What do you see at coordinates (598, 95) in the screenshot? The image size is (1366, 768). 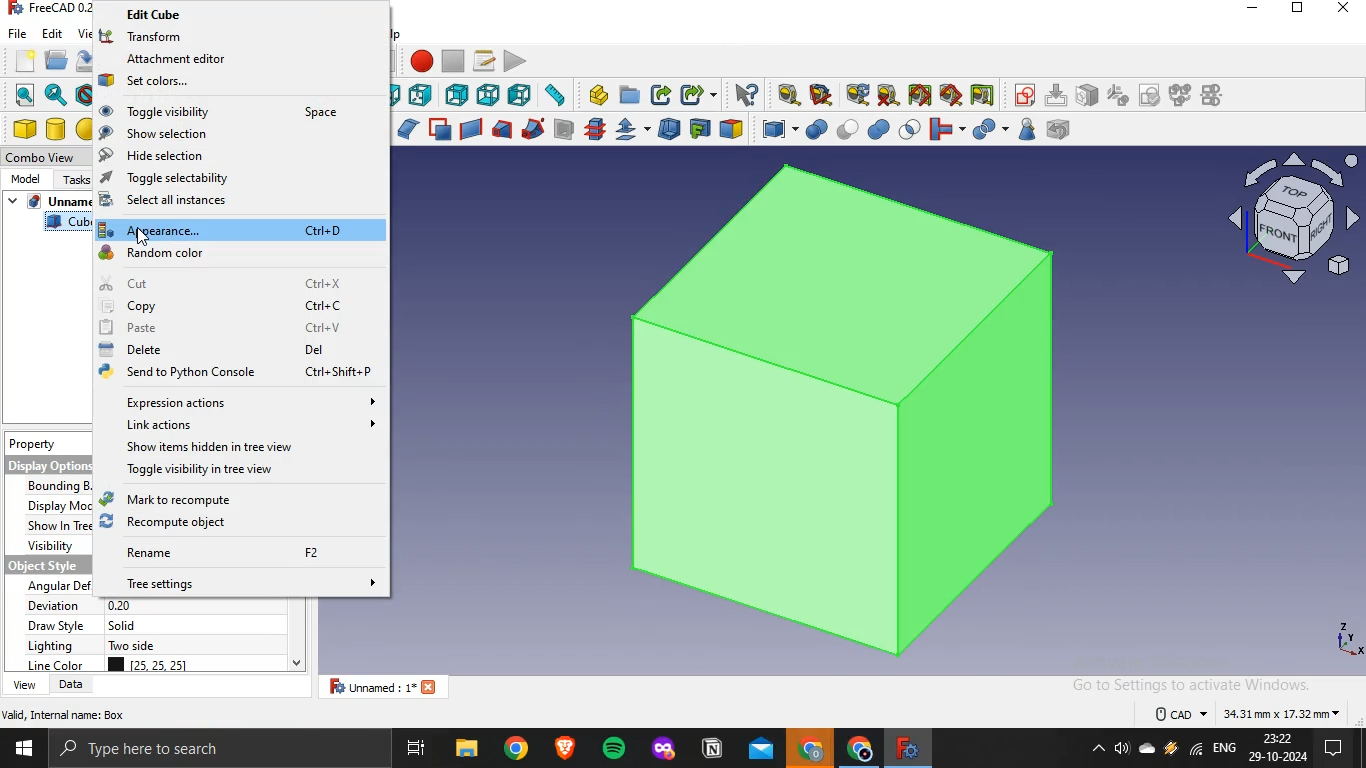 I see `create part` at bounding box center [598, 95].